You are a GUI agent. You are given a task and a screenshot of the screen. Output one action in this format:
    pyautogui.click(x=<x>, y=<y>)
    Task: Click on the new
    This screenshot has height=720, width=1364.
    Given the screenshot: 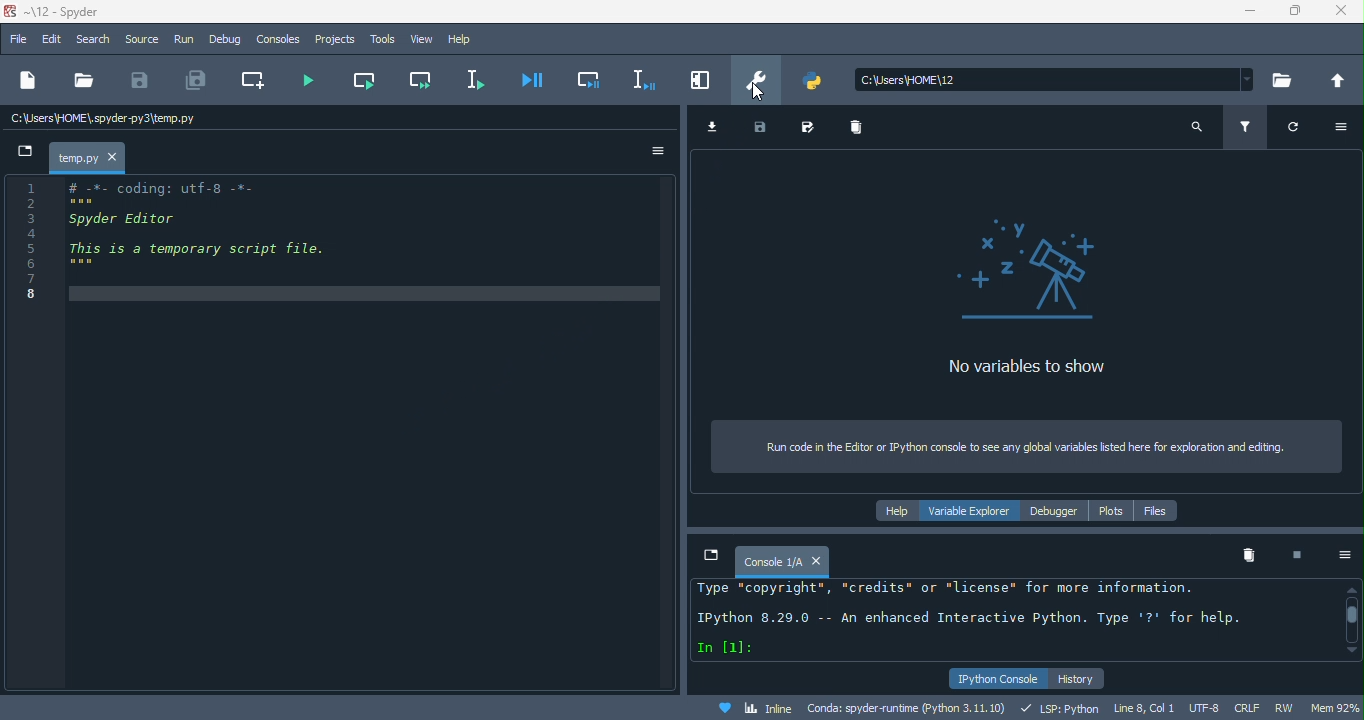 What is the action you would take?
    pyautogui.click(x=26, y=82)
    